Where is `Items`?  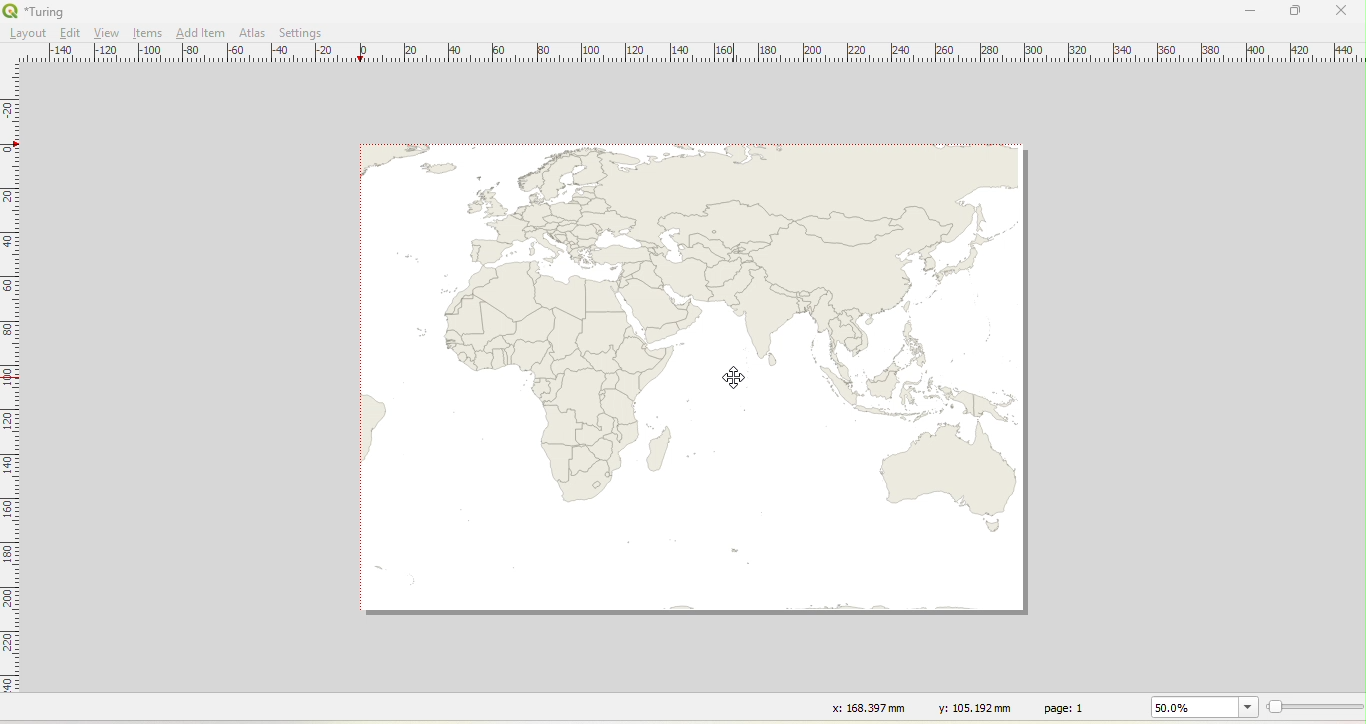
Items is located at coordinates (149, 34).